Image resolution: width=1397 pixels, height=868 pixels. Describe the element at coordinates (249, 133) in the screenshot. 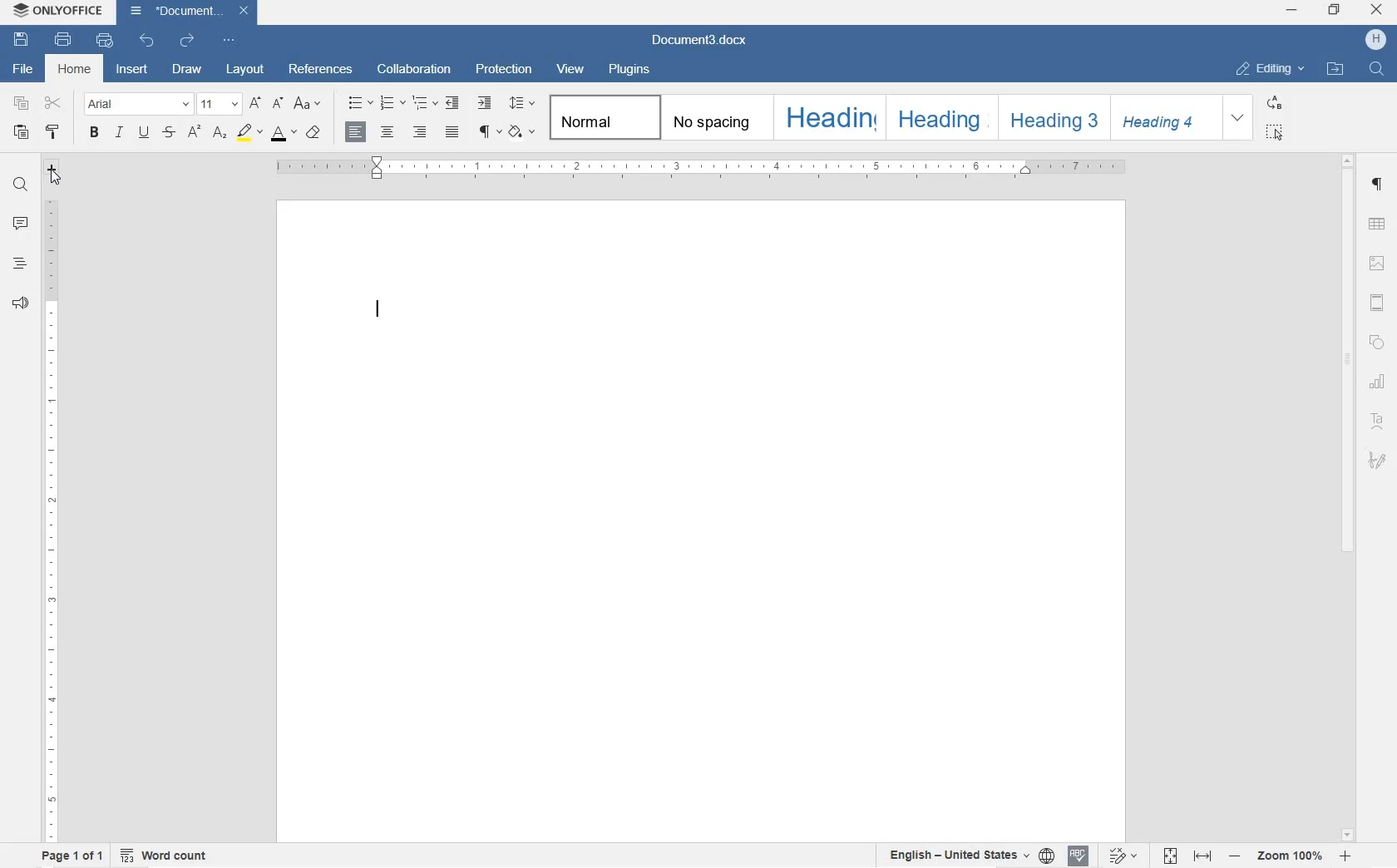

I see `HIGHLIGHTING COLOR` at that location.